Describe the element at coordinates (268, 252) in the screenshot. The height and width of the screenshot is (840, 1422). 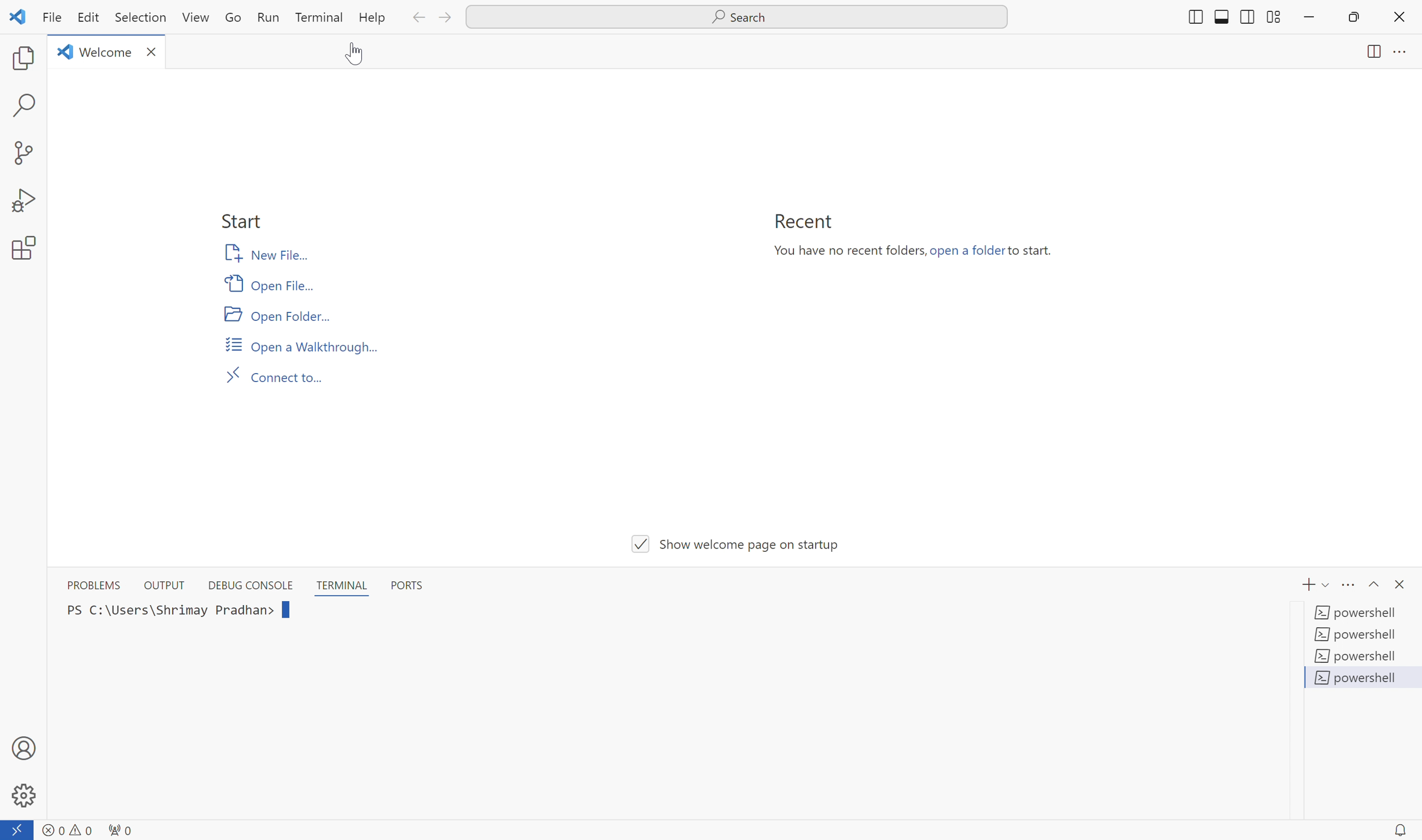
I see `New File...` at that location.